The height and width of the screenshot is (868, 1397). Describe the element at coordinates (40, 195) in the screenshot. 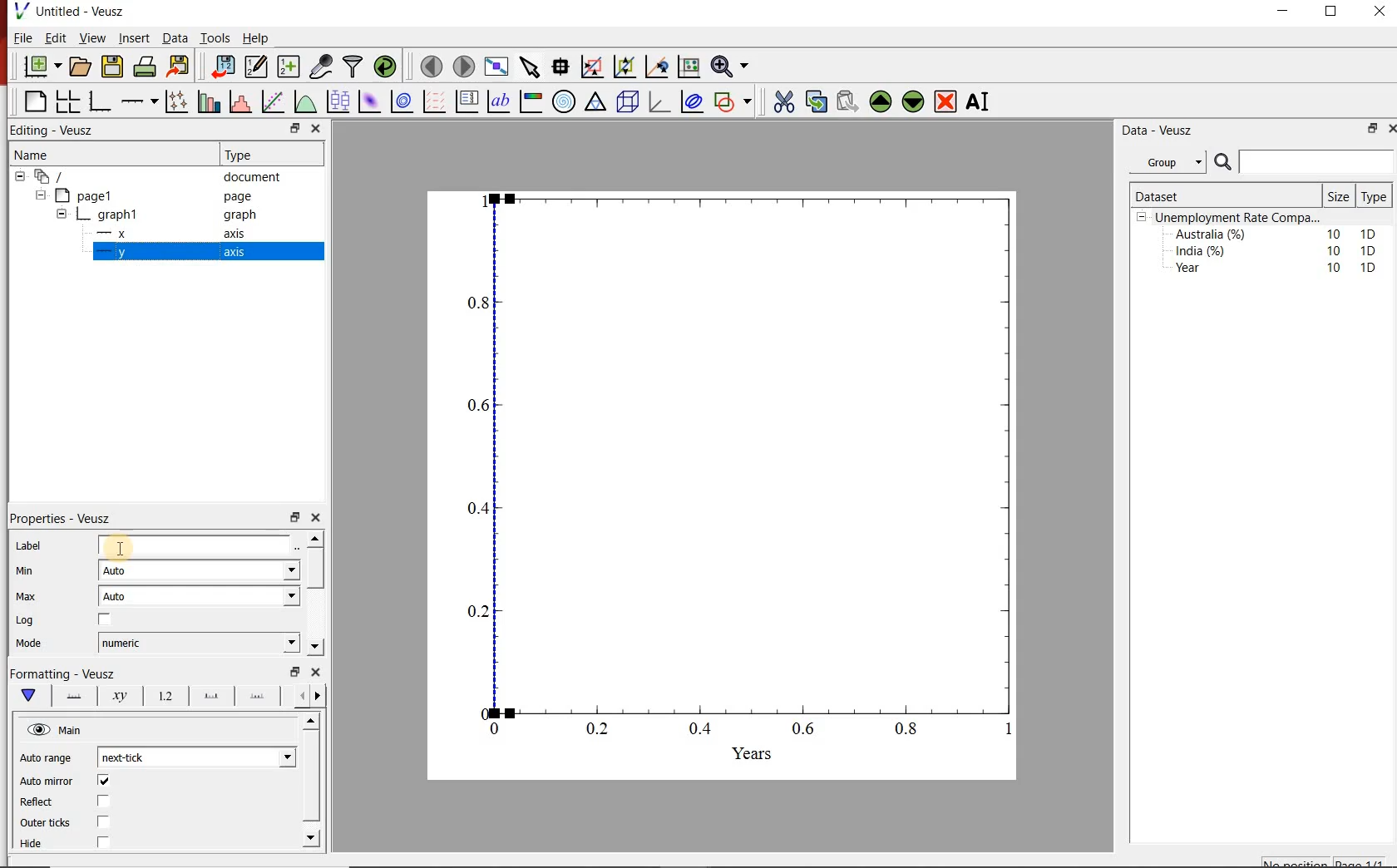

I see `collapse` at that location.